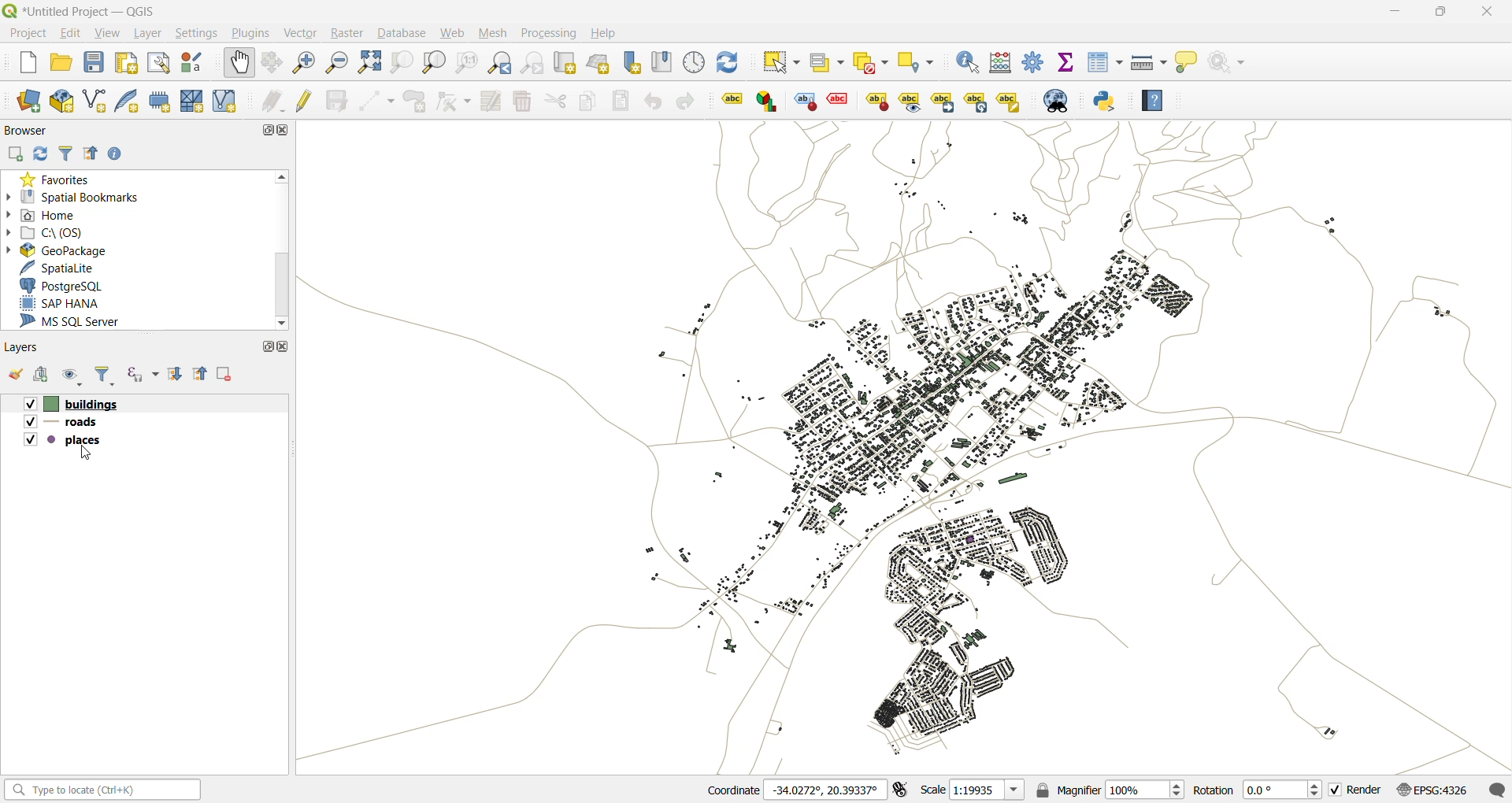 The height and width of the screenshot is (803, 1512). Describe the element at coordinates (270, 102) in the screenshot. I see `edits` at that location.